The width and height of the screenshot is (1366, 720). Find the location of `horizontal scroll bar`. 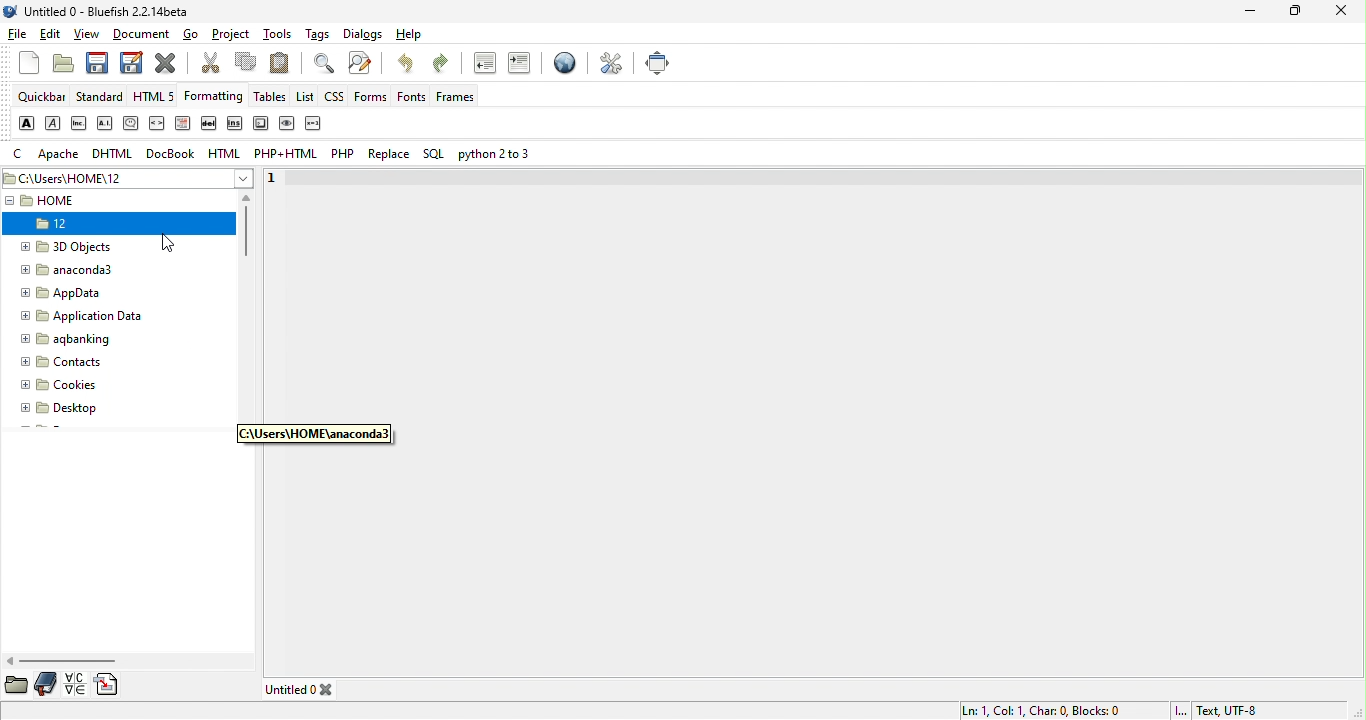

horizontal scroll bar is located at coordinates (61, 661).